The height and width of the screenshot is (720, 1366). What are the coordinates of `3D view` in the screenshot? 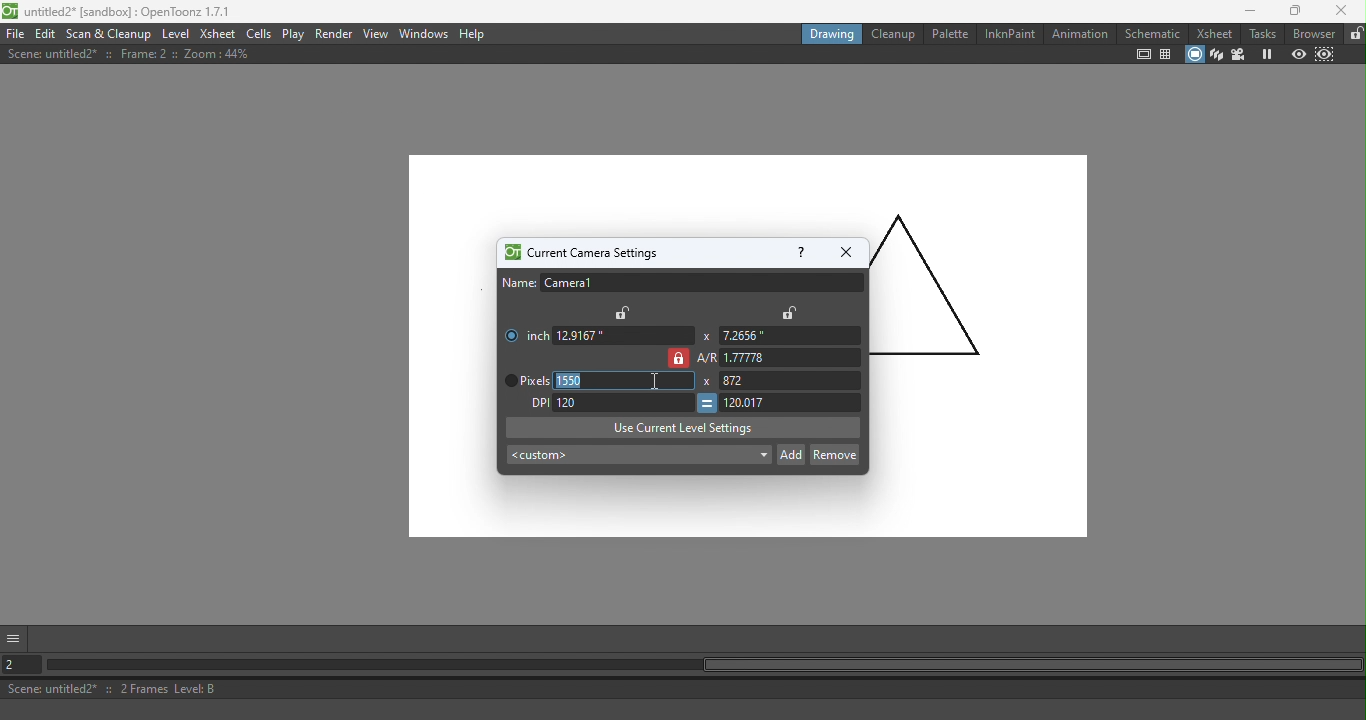 It's located at (1216, 55).